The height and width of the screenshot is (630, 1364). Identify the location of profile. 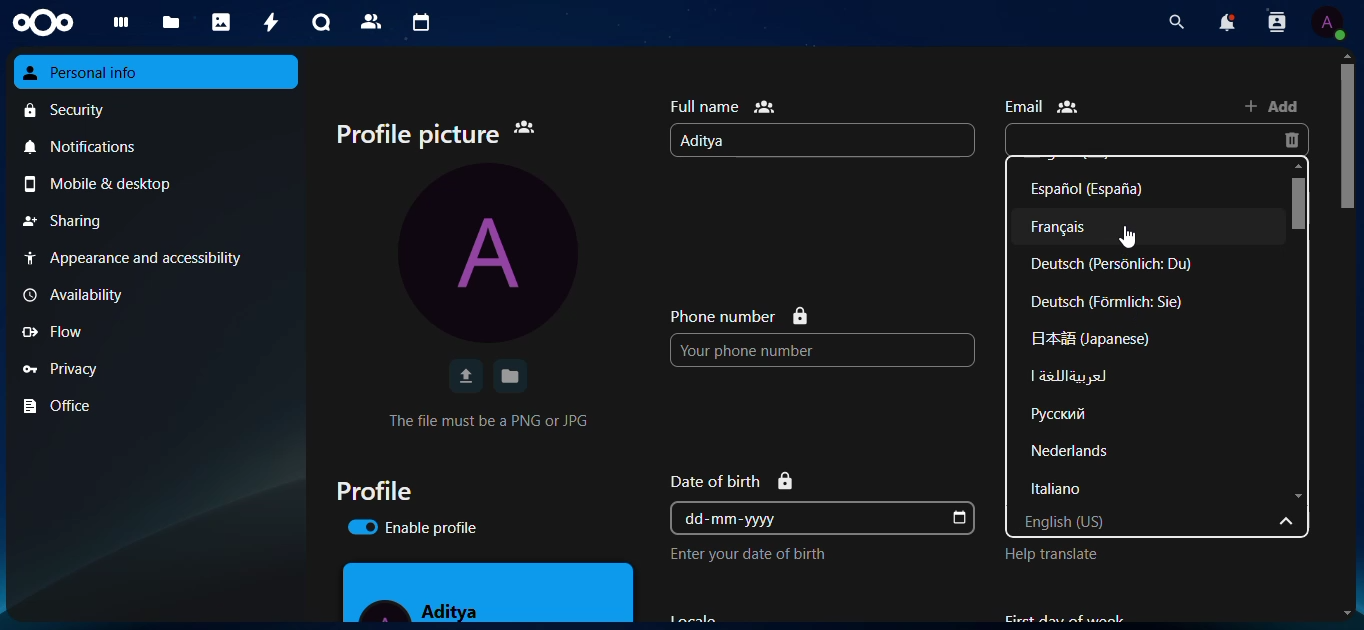
(384, 490).